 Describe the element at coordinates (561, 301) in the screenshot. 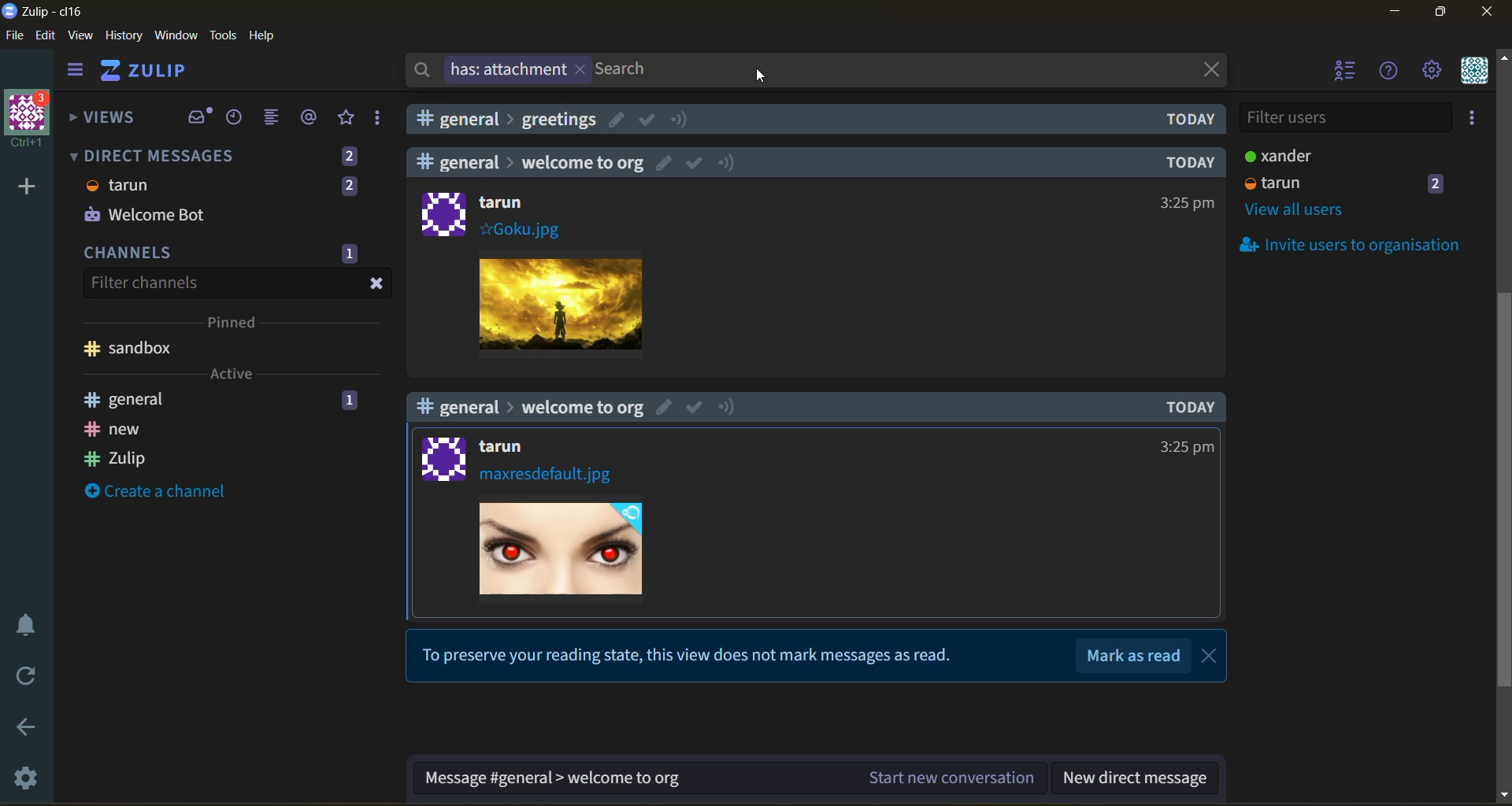

I see `Image` at that location.